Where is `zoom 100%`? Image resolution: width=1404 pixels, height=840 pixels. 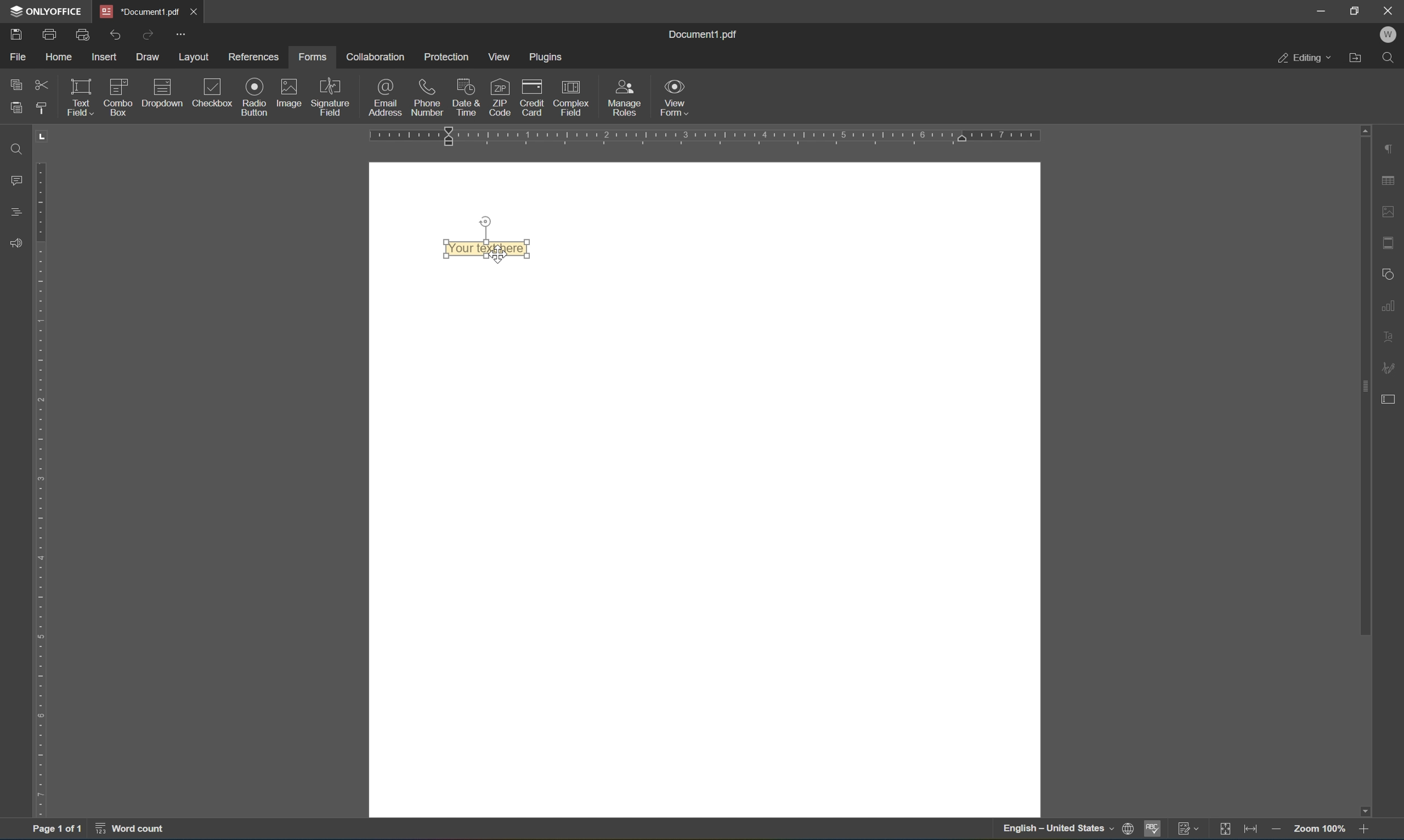 zoom 100% is located at coordinates (1318, 828).